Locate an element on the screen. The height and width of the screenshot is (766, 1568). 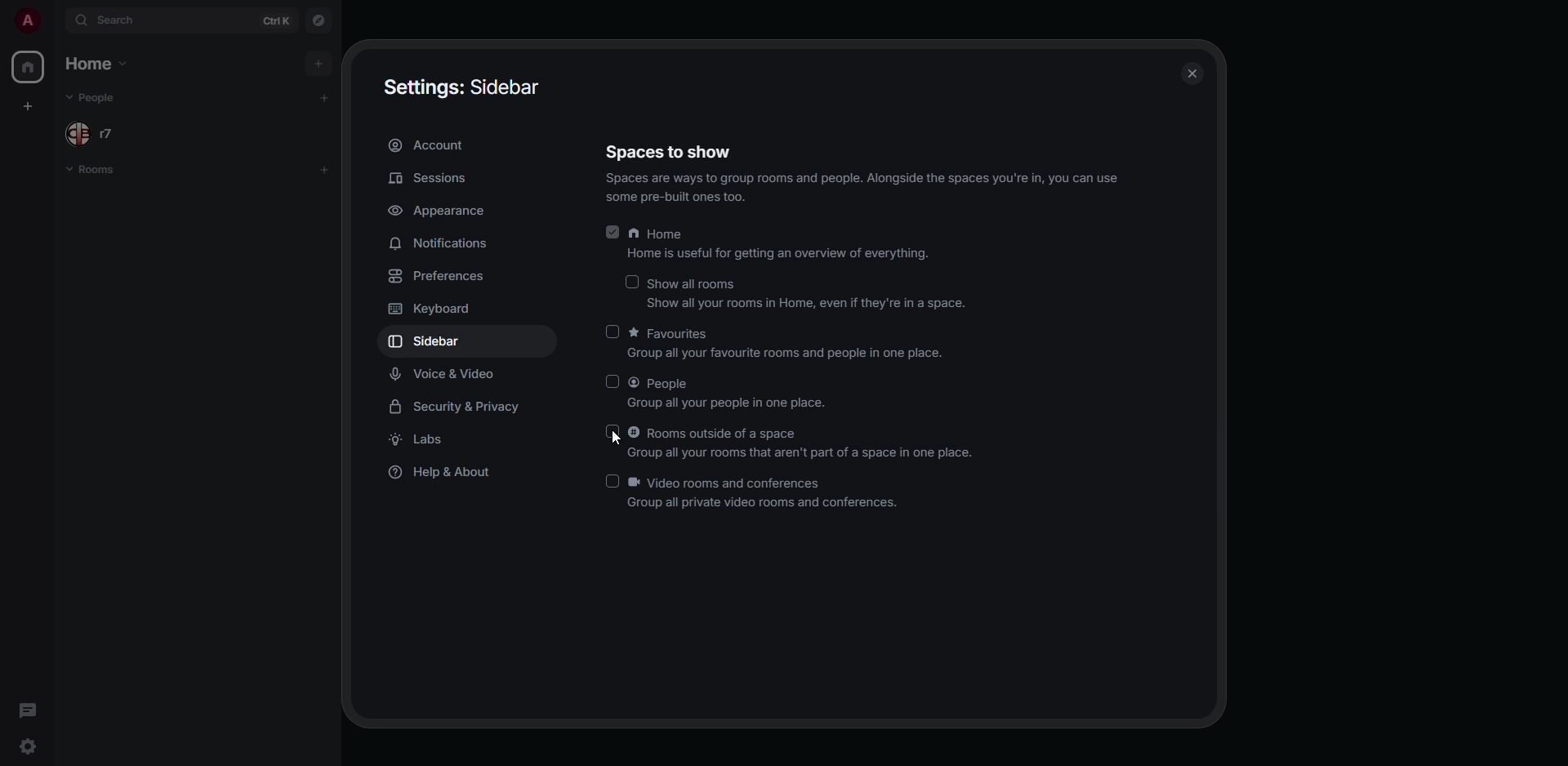
home is located at coordinates (93, 64).